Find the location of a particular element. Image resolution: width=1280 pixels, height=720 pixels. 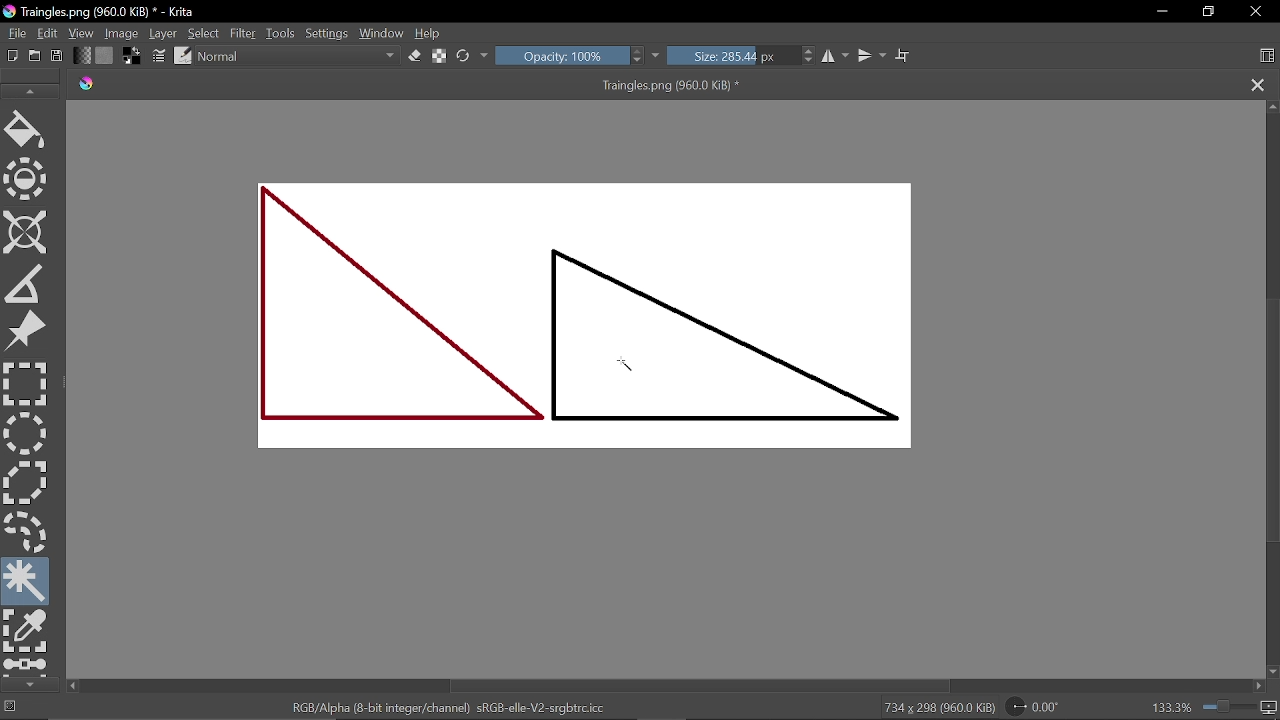

Eraser tool is located at coordinates (416, 55).